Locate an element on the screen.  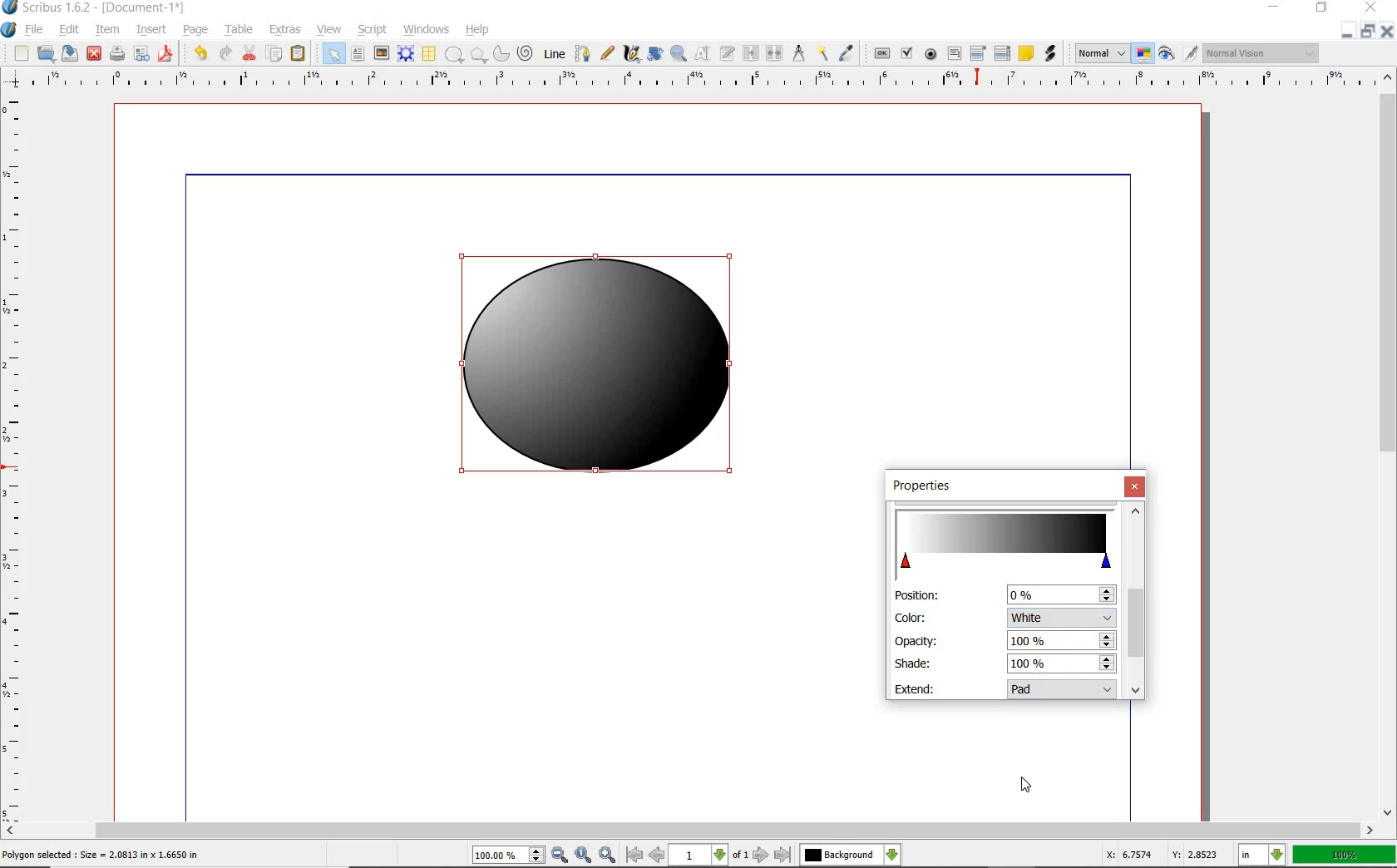
CLOSE is located at coordinates (94, 54).